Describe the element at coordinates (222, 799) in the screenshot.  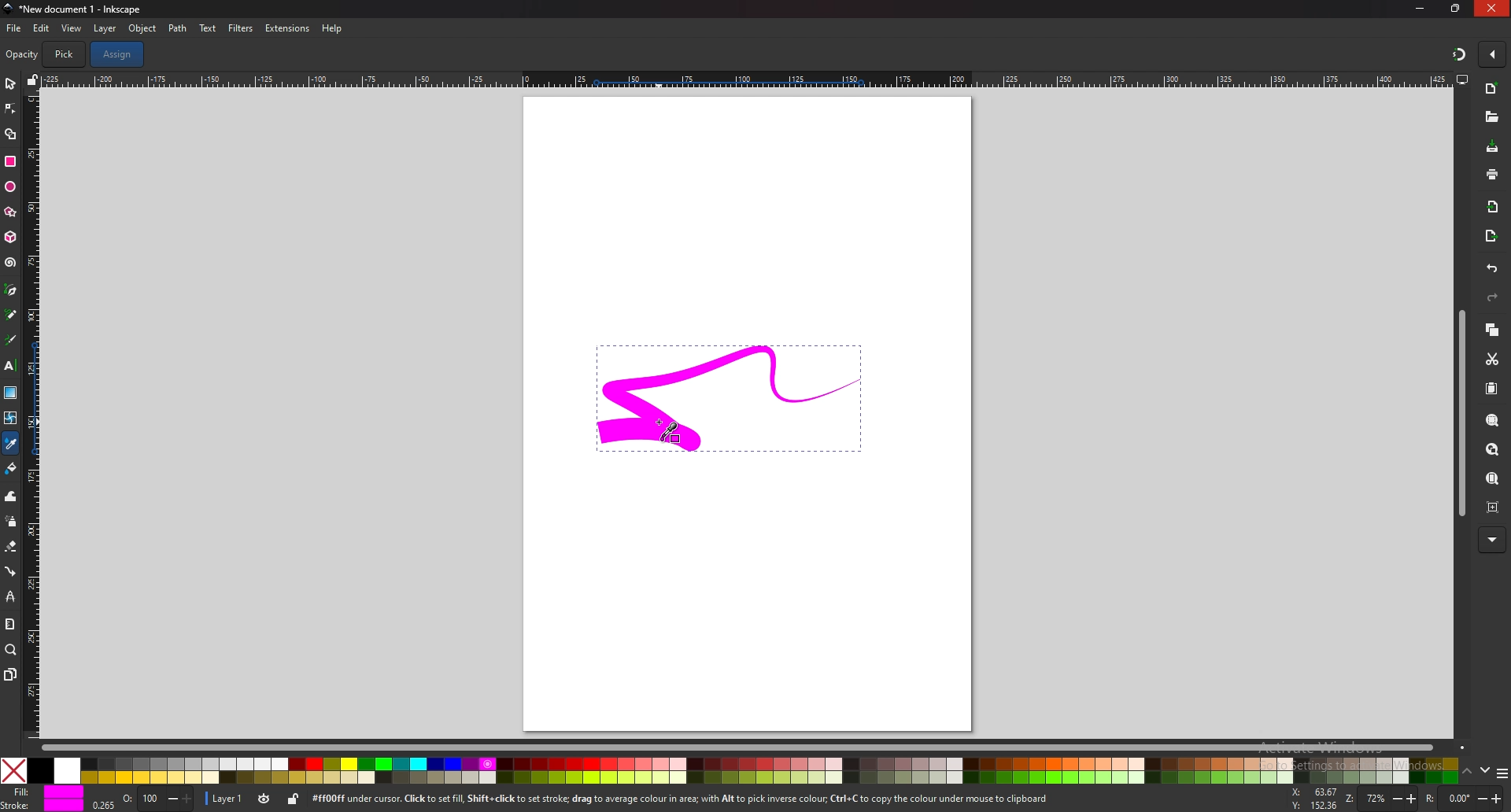
I see `layer` at that location.